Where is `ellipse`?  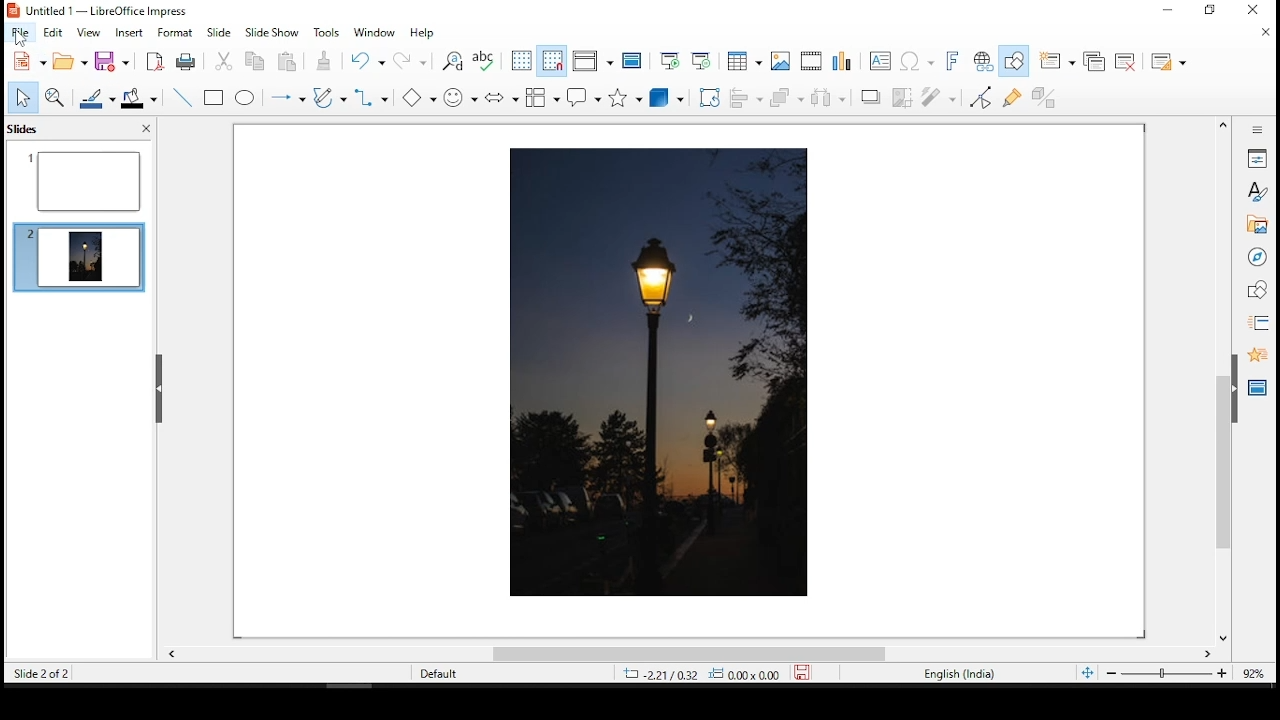 ellipse is located at coordinates (246, 98).